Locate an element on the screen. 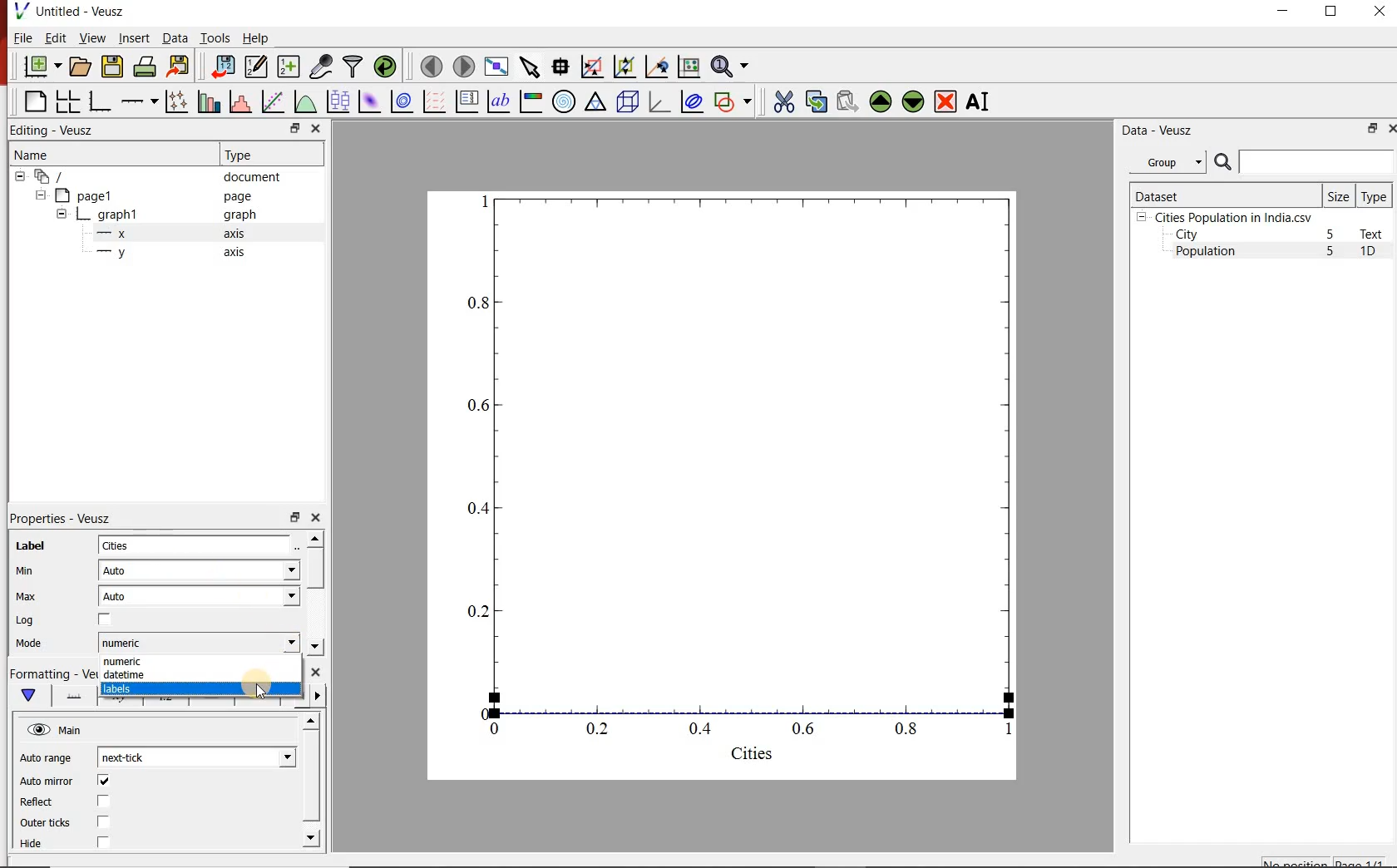 The image size is (1397, 868). next-tick is located at coordinates (195, 757).